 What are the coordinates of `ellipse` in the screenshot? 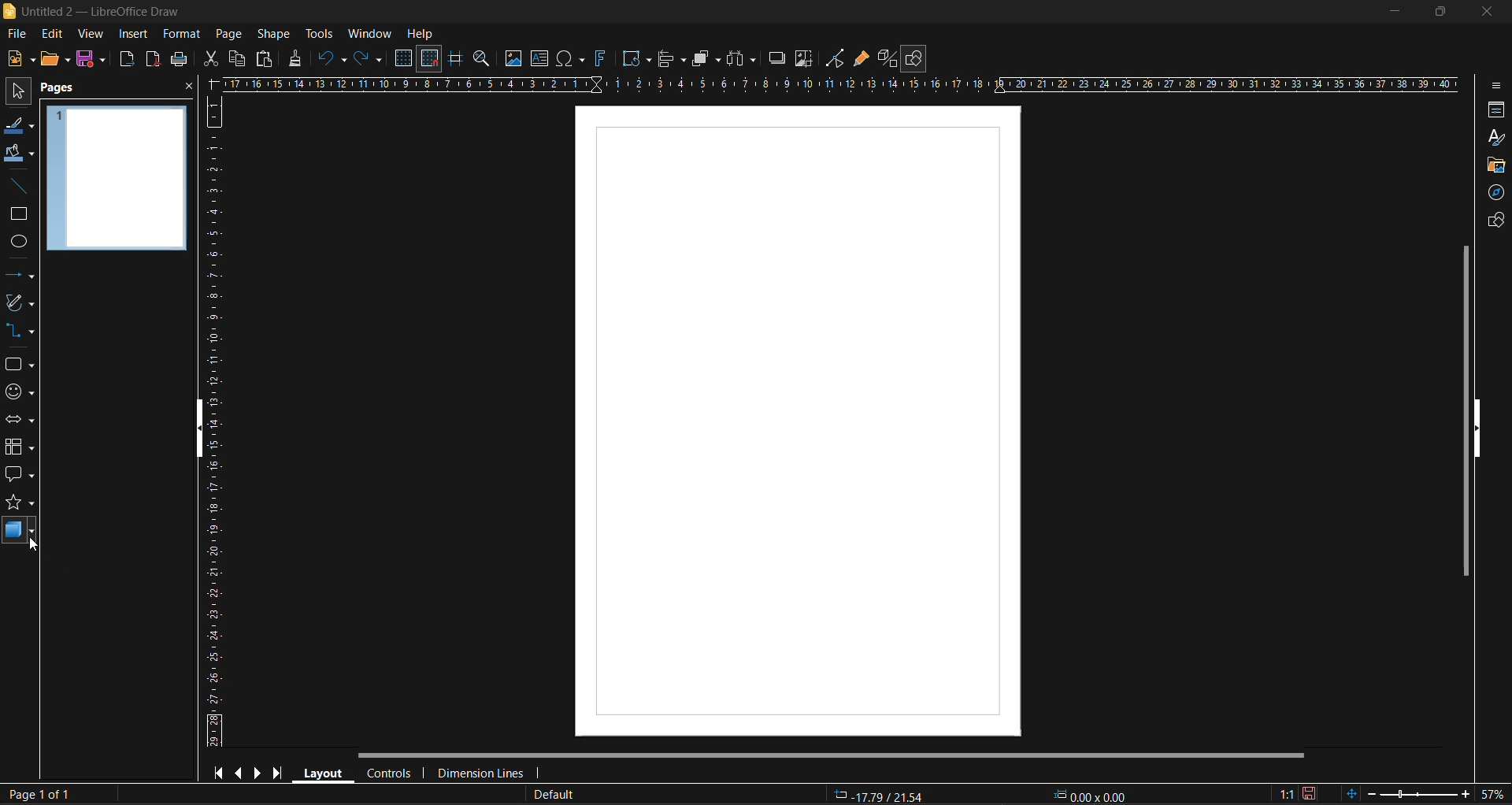 It's located at (19, 243).